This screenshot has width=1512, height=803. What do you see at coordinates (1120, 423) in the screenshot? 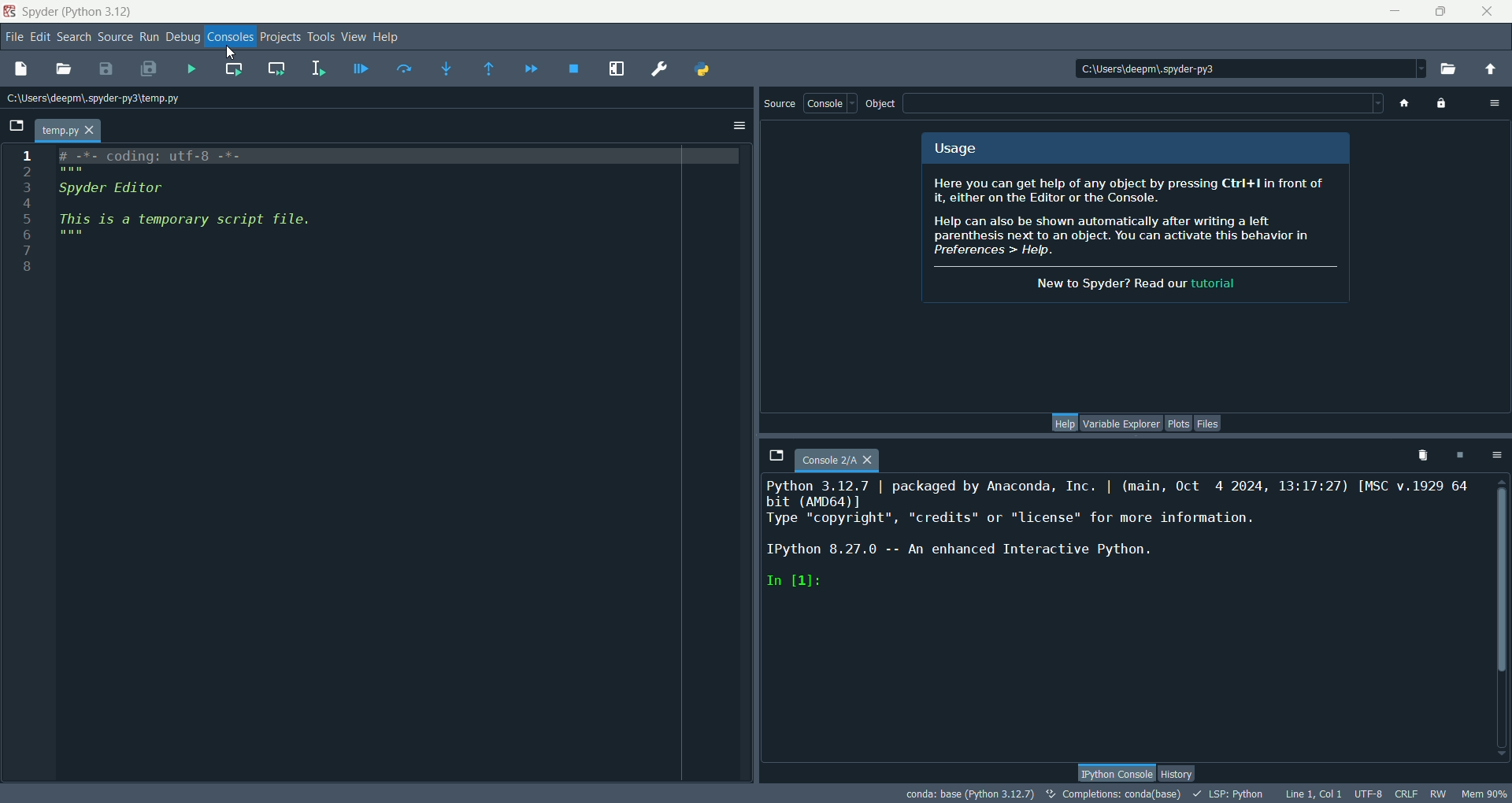
I see `variable explorer` at bounding box center [1120, 423].